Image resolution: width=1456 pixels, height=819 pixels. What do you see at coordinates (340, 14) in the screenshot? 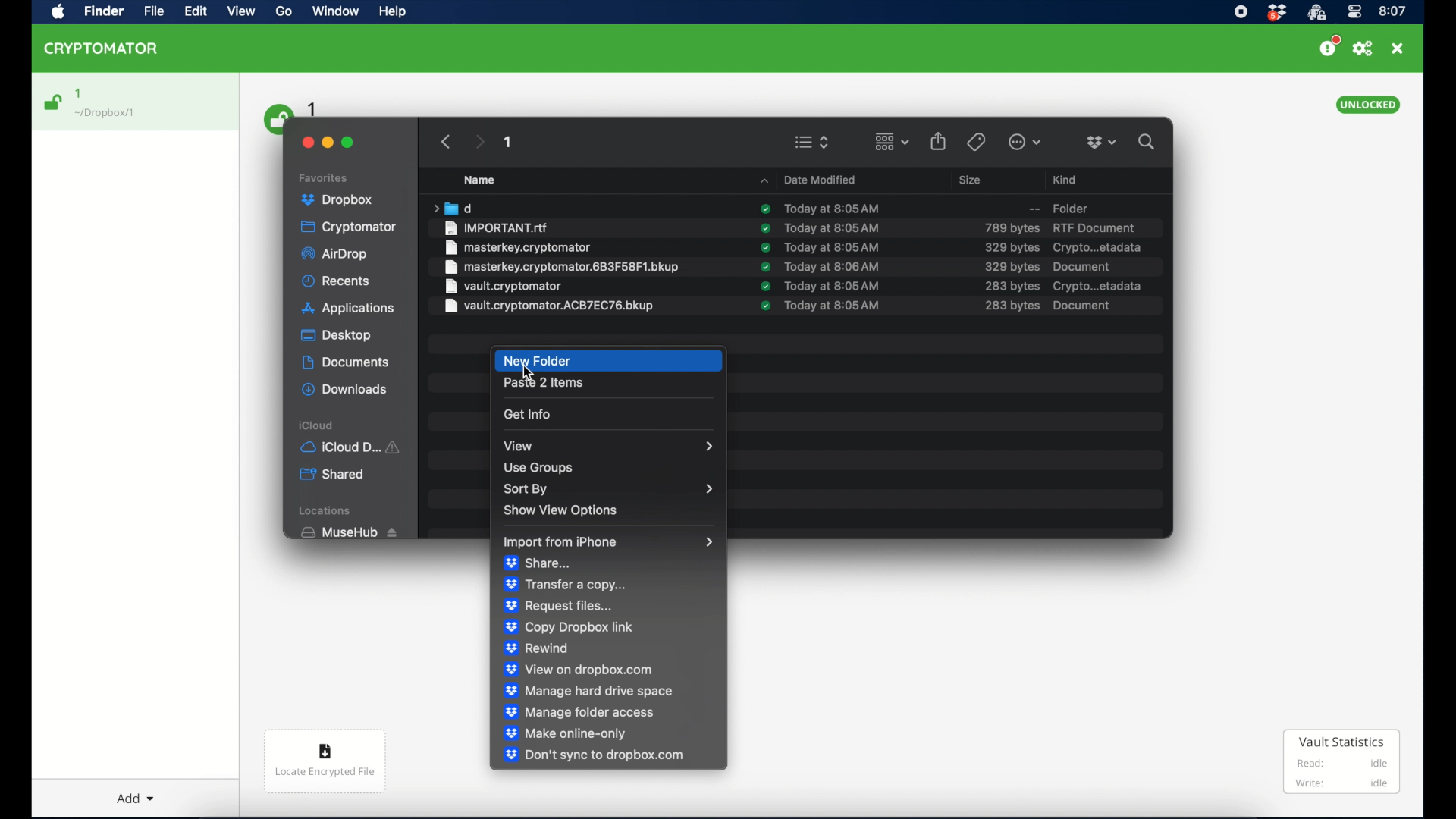
I see `Window` at bounding box center [340, 14].